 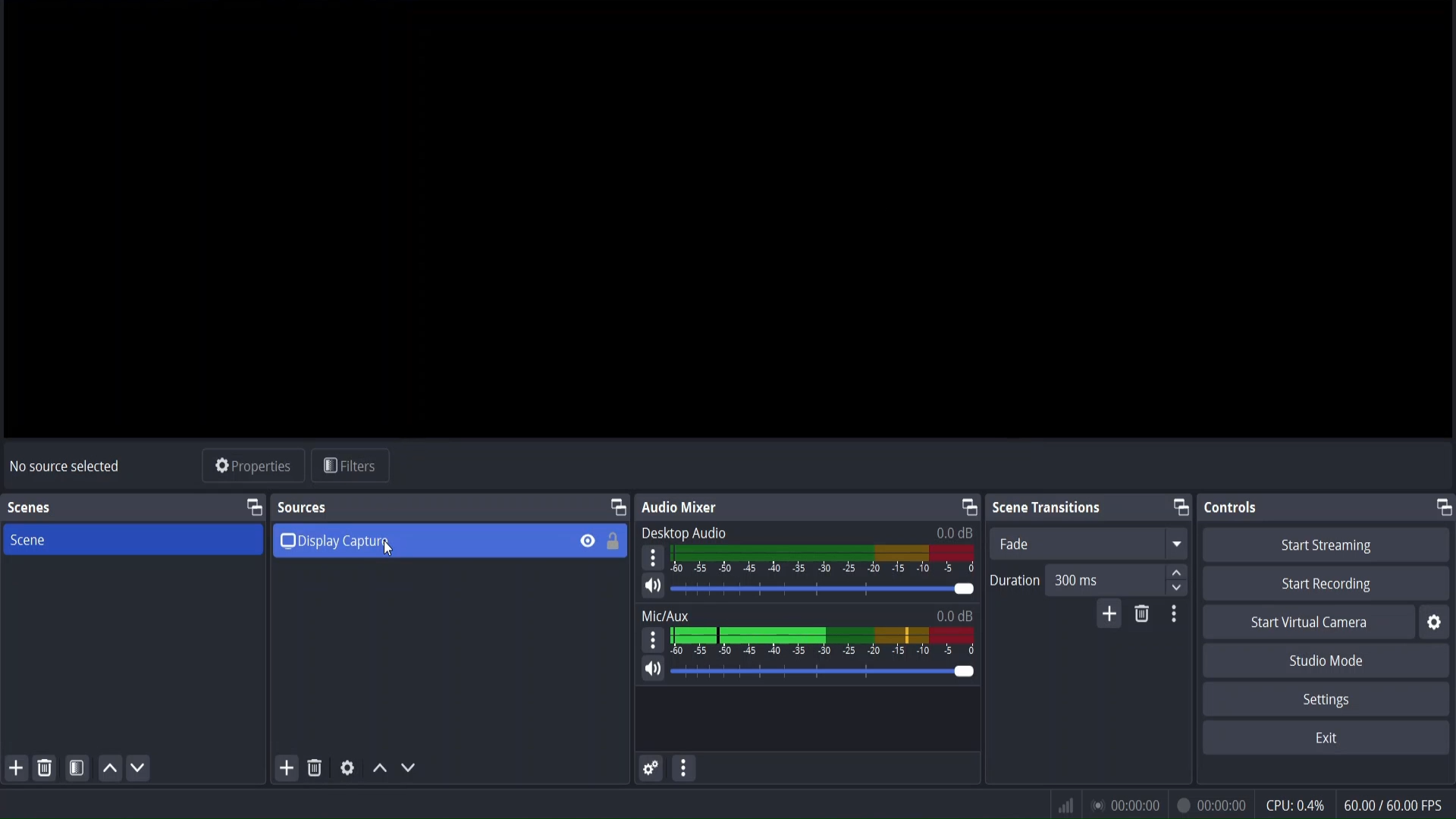 I want to click on media source properties, so click(x=348, y=768).